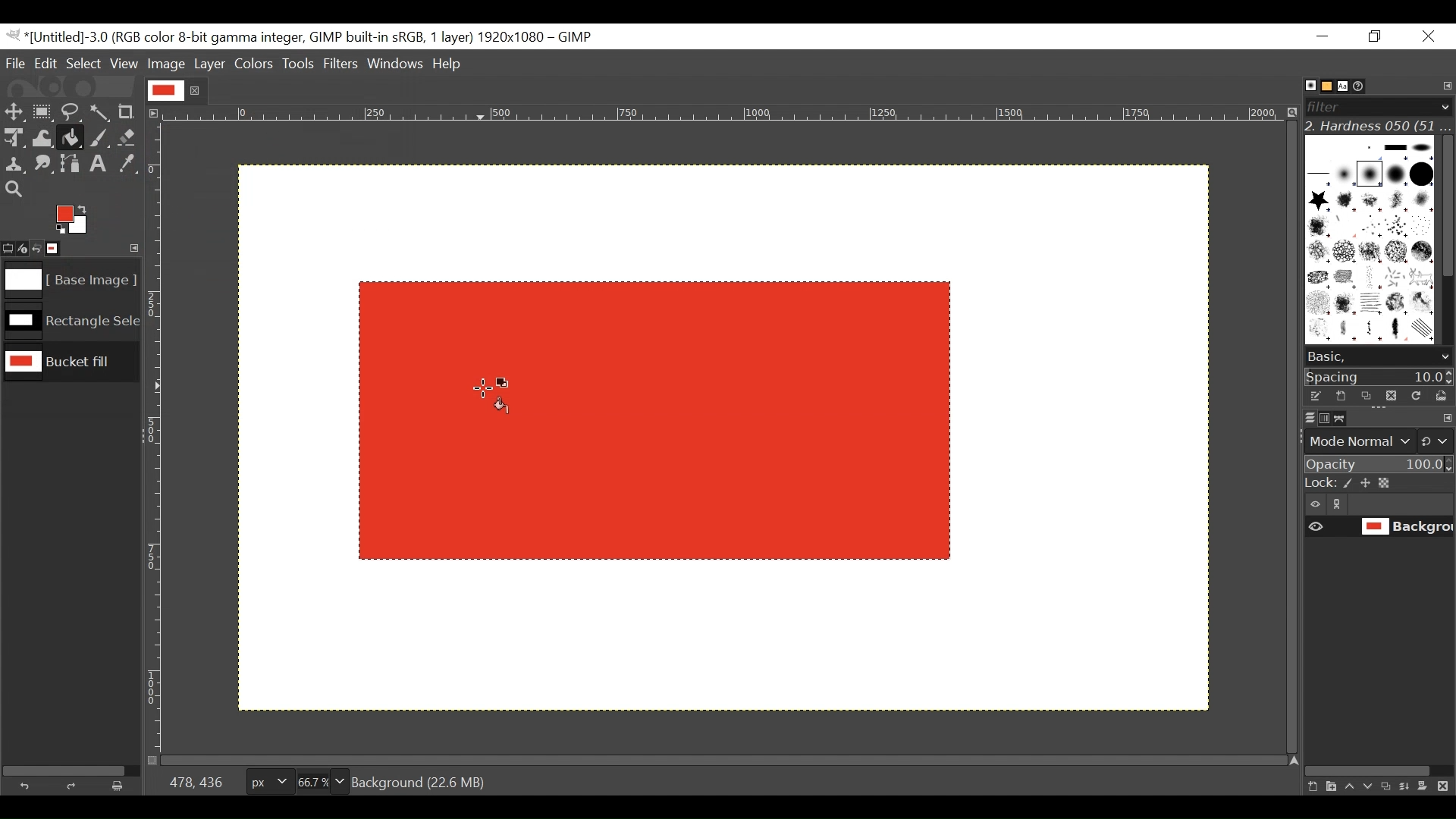 The height and width of the screenshot is (819, 1456). I want to click on Create a new brush , so click(1340, 396).